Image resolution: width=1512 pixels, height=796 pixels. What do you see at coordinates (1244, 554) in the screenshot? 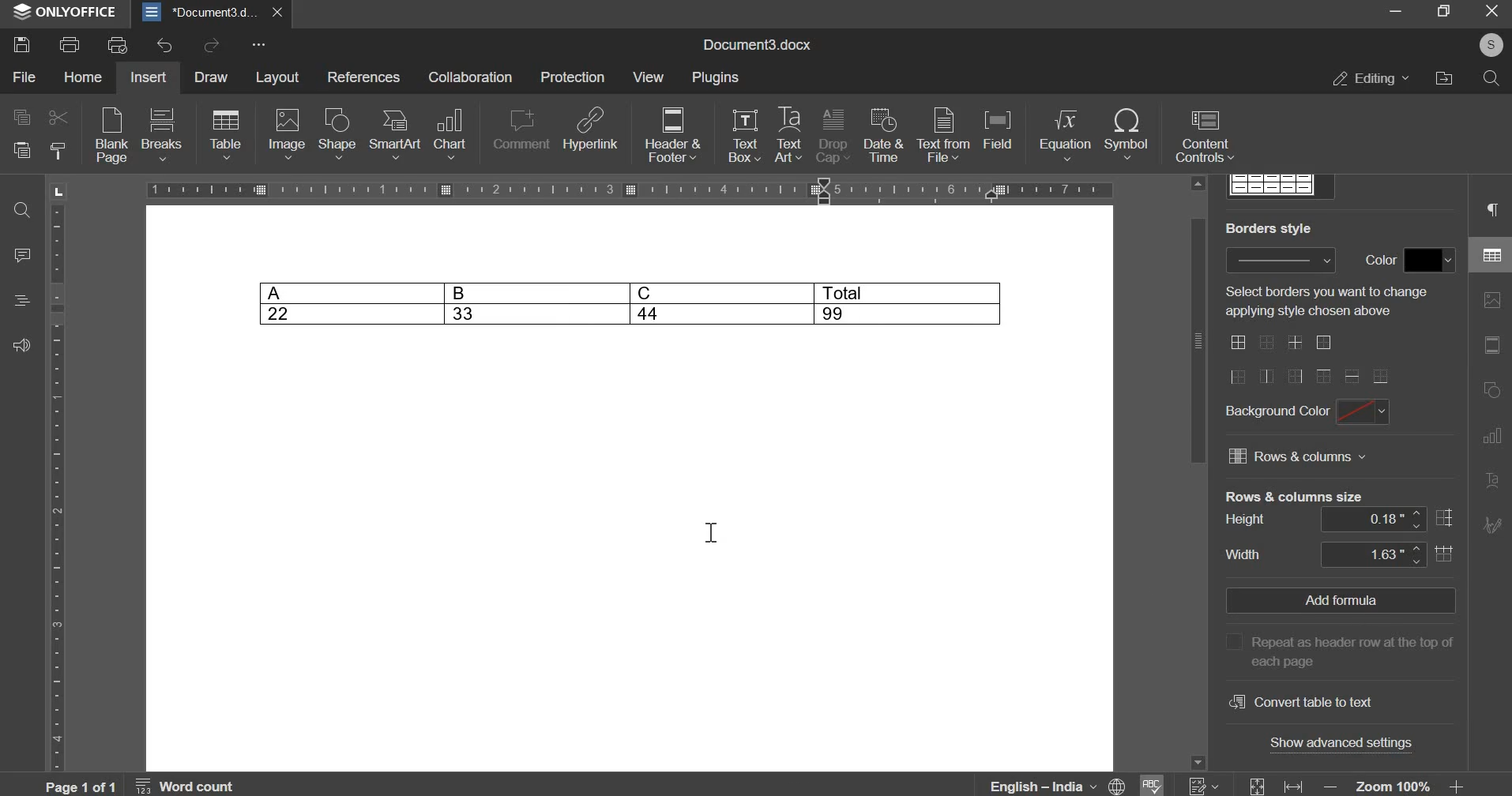
I see `width` at bounding box center [1244, 554].